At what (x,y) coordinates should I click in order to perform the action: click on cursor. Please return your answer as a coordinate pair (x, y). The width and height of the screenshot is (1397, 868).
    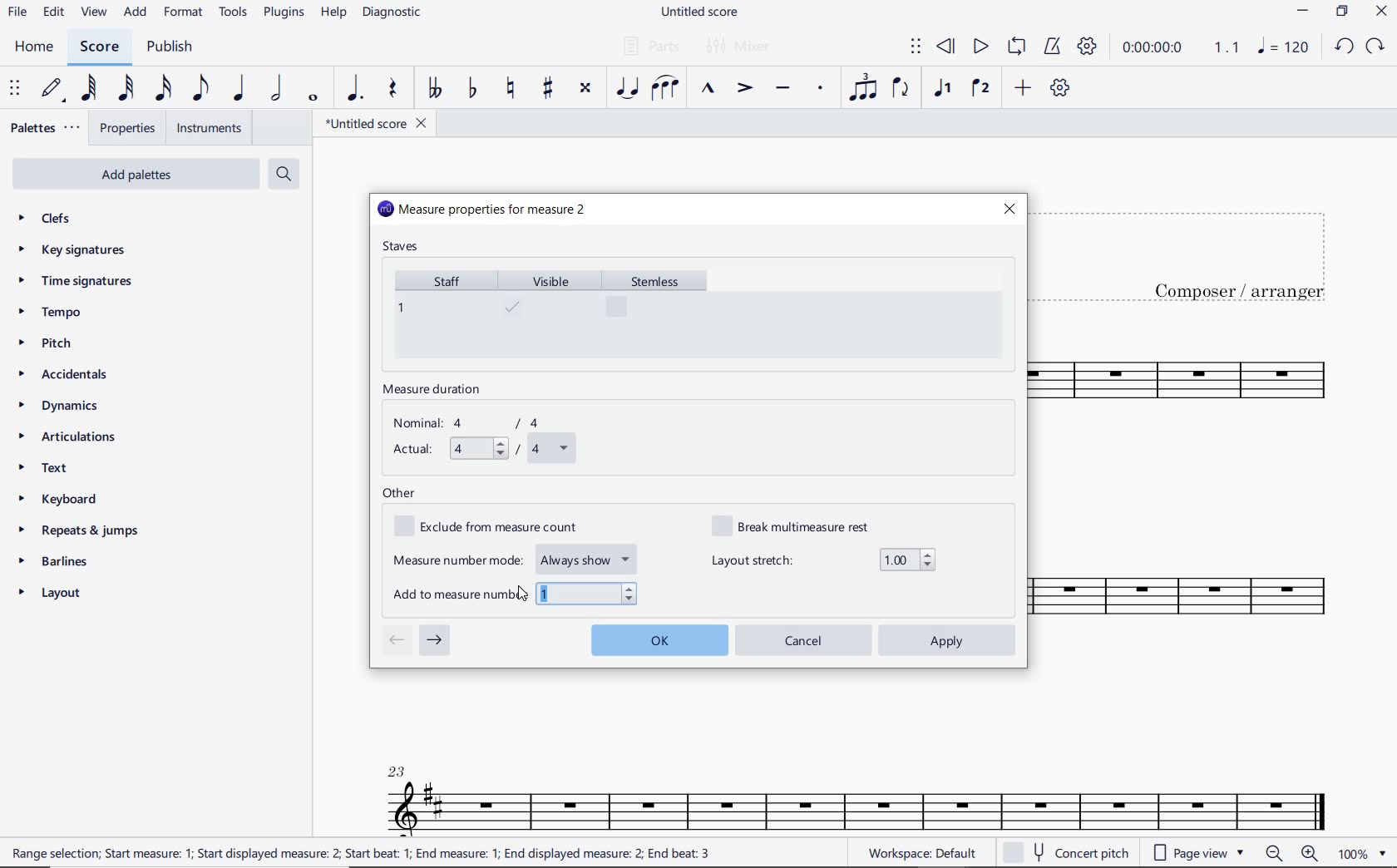
    Looking at the image, I should click on (522, 599).